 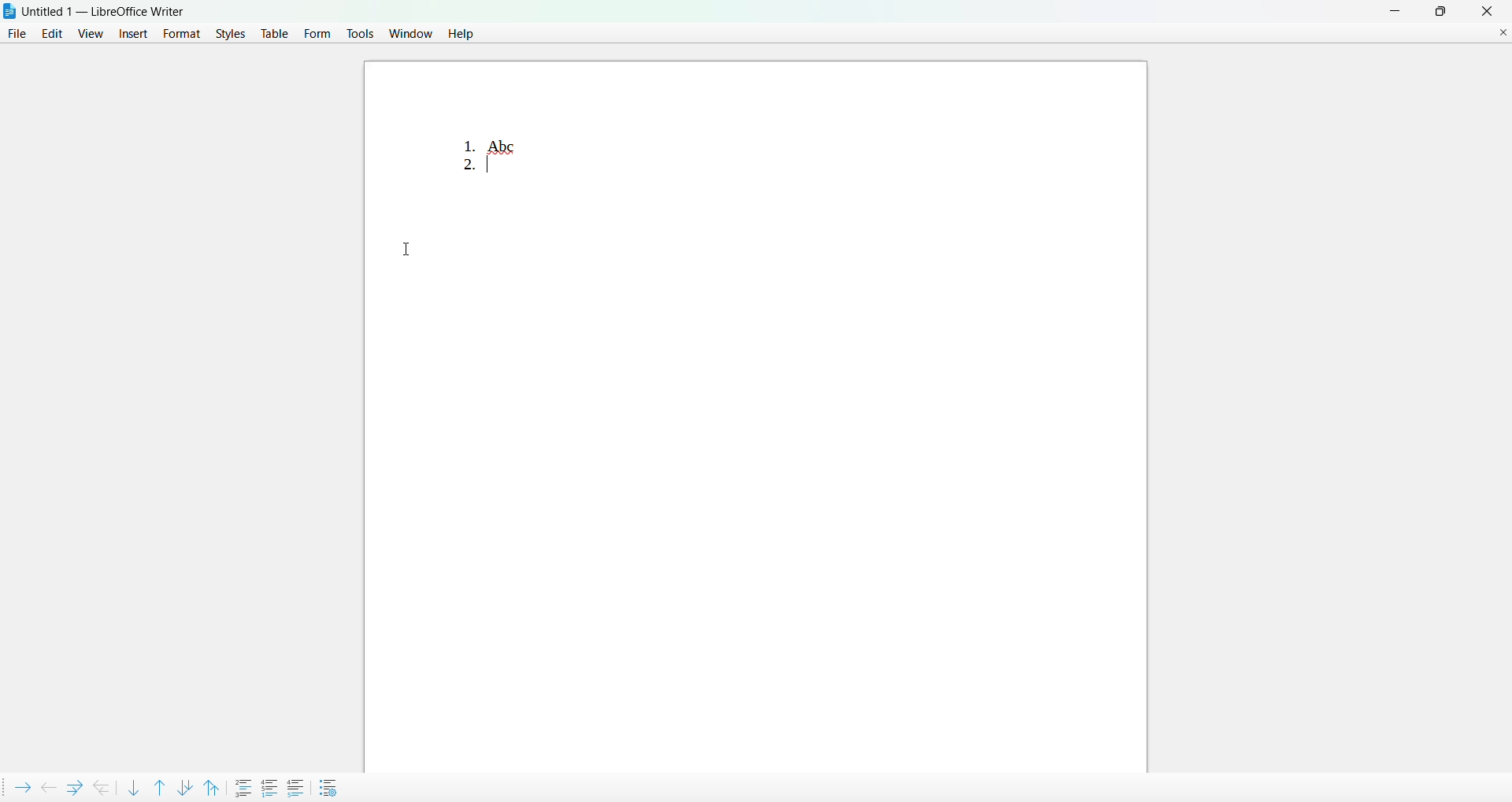 I want to click on maximum, so click(x=1441, y=10).